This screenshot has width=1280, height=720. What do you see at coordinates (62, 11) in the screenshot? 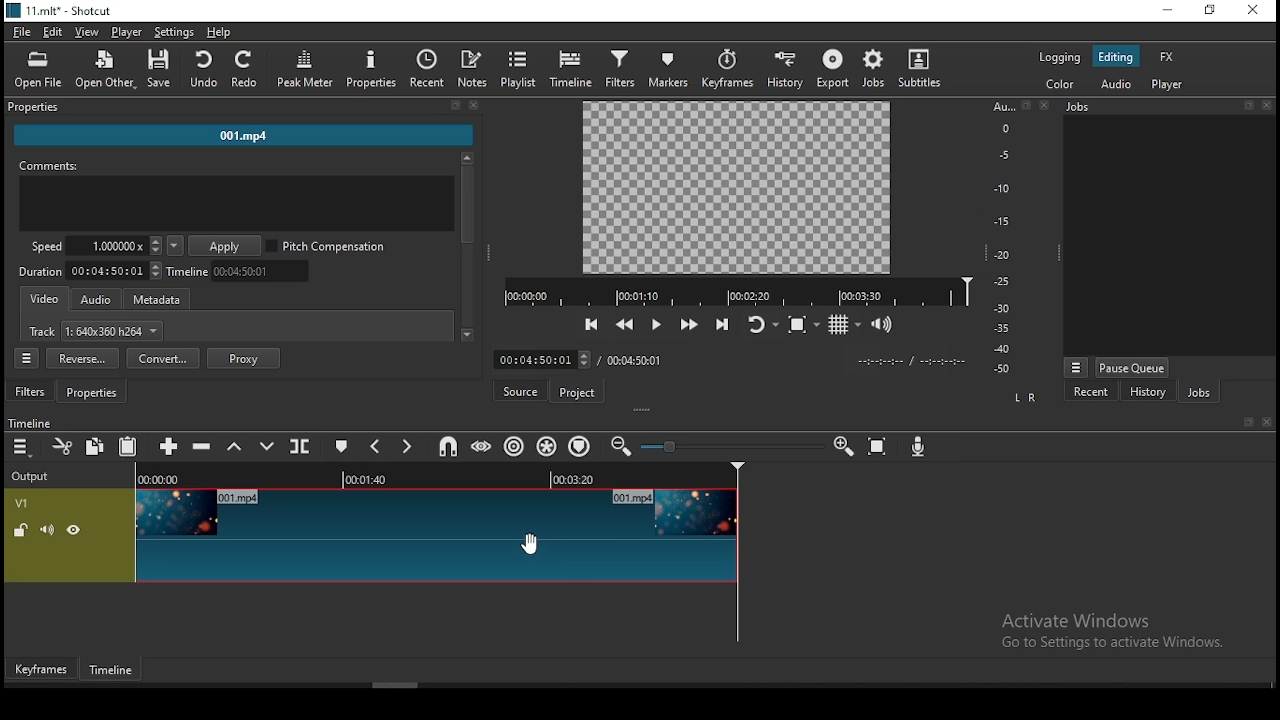
I see `11.mlt* -shotcut` at bounding box center [62, 11].